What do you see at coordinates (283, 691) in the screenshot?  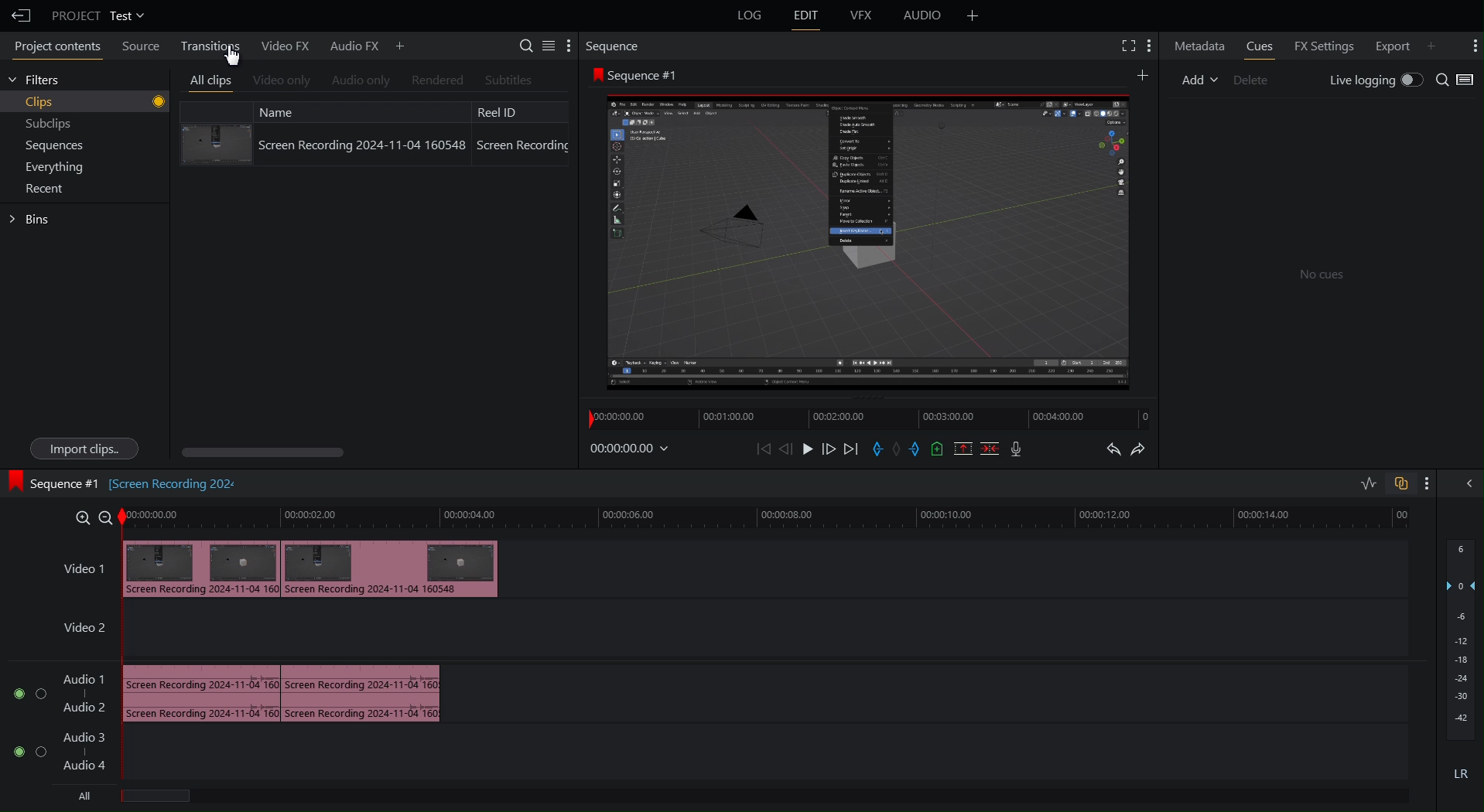 I see `Audio track` at bounding box center [283, 691].